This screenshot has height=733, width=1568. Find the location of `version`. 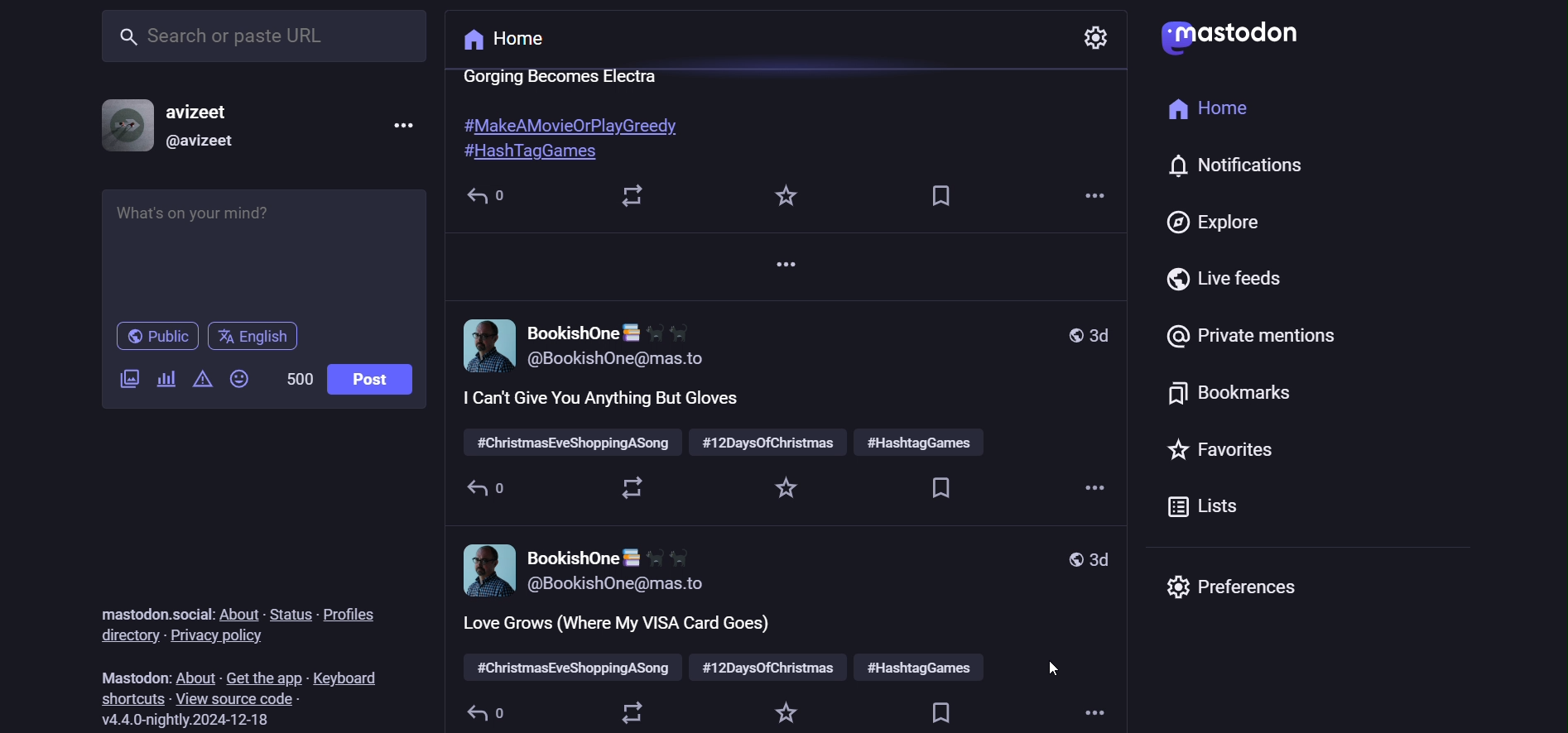

version is located at coordinates (183, 720).